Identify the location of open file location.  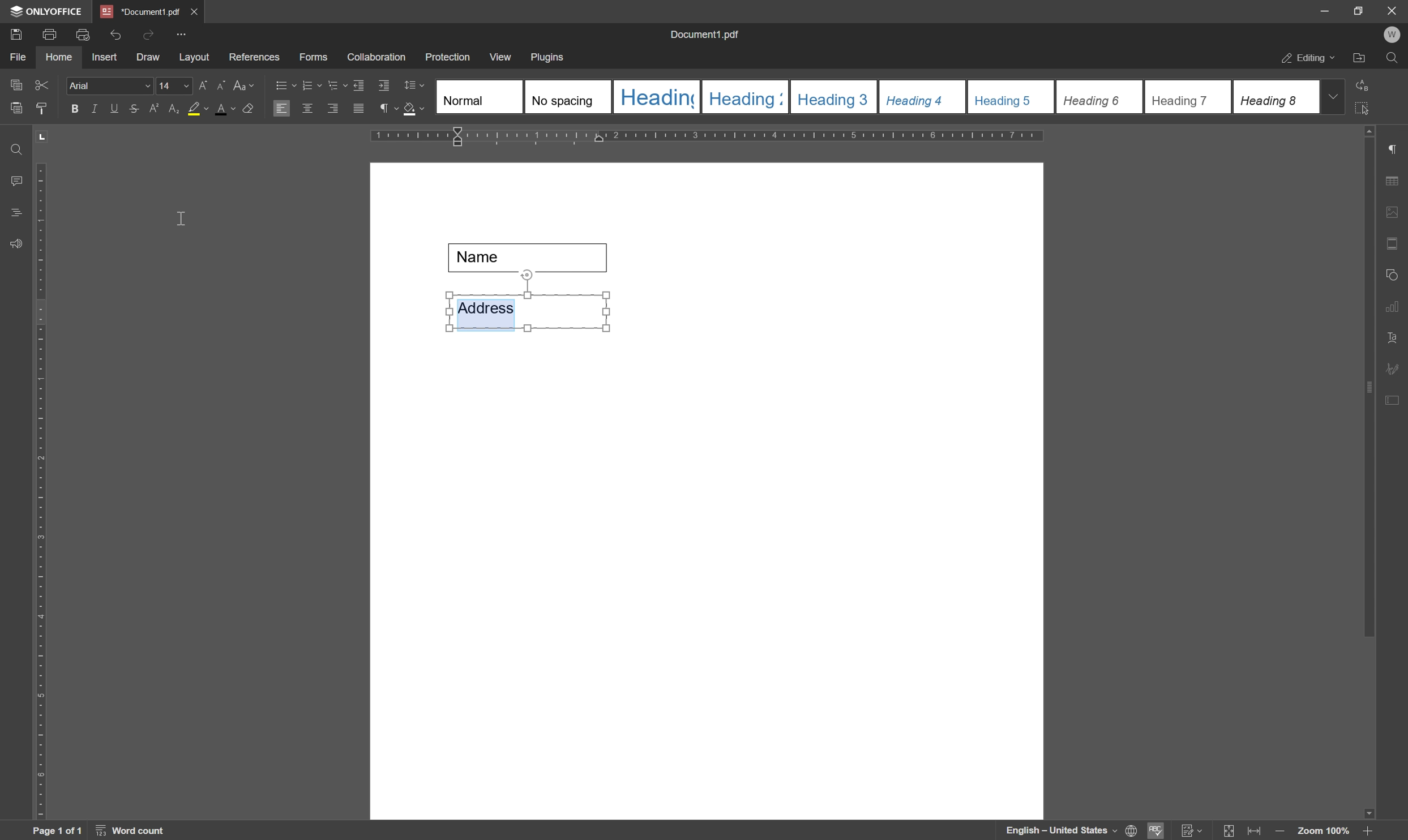
(1360, 59).